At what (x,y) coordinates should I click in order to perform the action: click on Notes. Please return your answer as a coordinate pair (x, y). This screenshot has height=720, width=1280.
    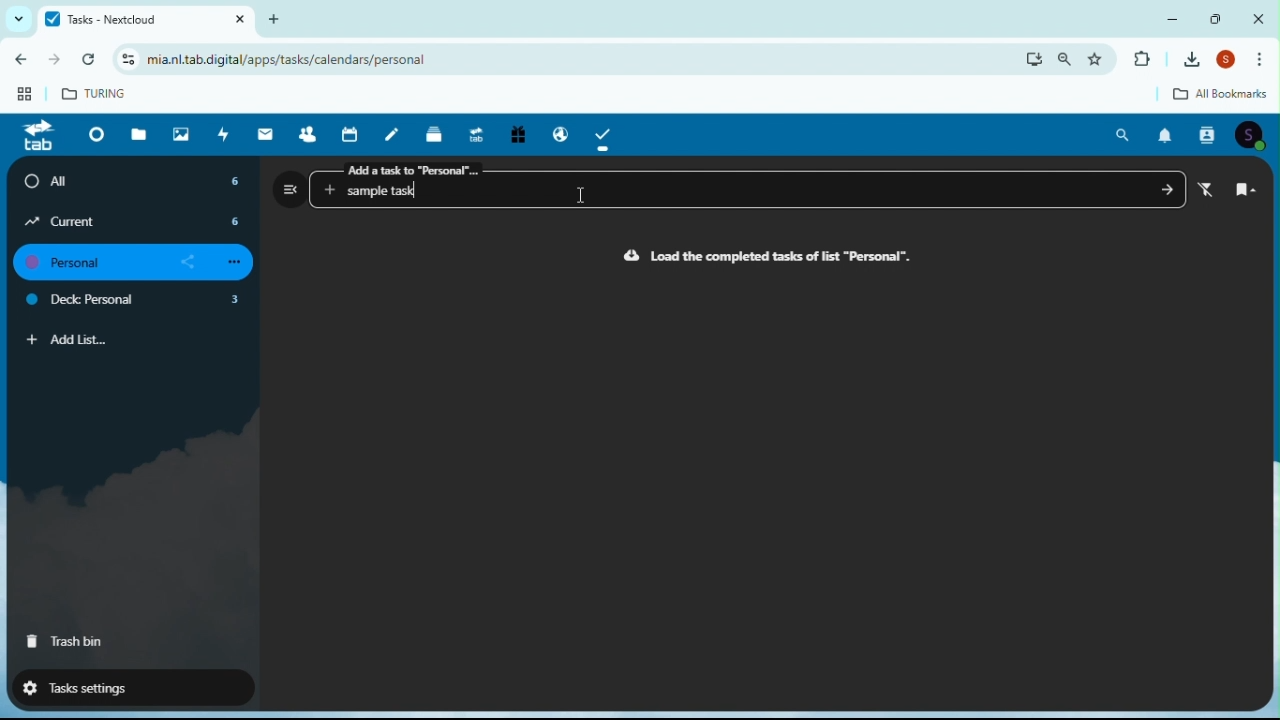
    Looking at the image, I should click on (396, 133).